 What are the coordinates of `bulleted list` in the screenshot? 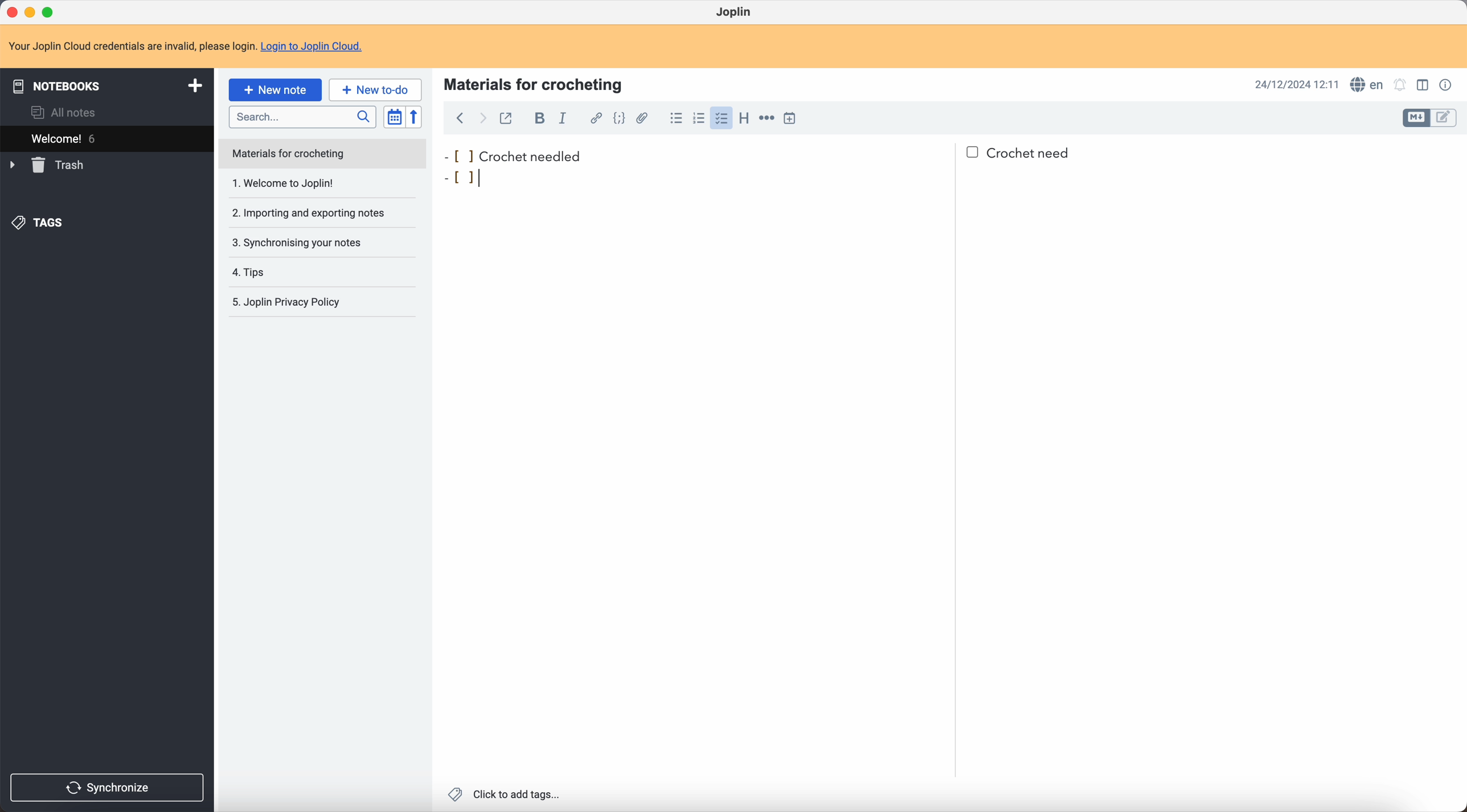 It's located at (675, 118).